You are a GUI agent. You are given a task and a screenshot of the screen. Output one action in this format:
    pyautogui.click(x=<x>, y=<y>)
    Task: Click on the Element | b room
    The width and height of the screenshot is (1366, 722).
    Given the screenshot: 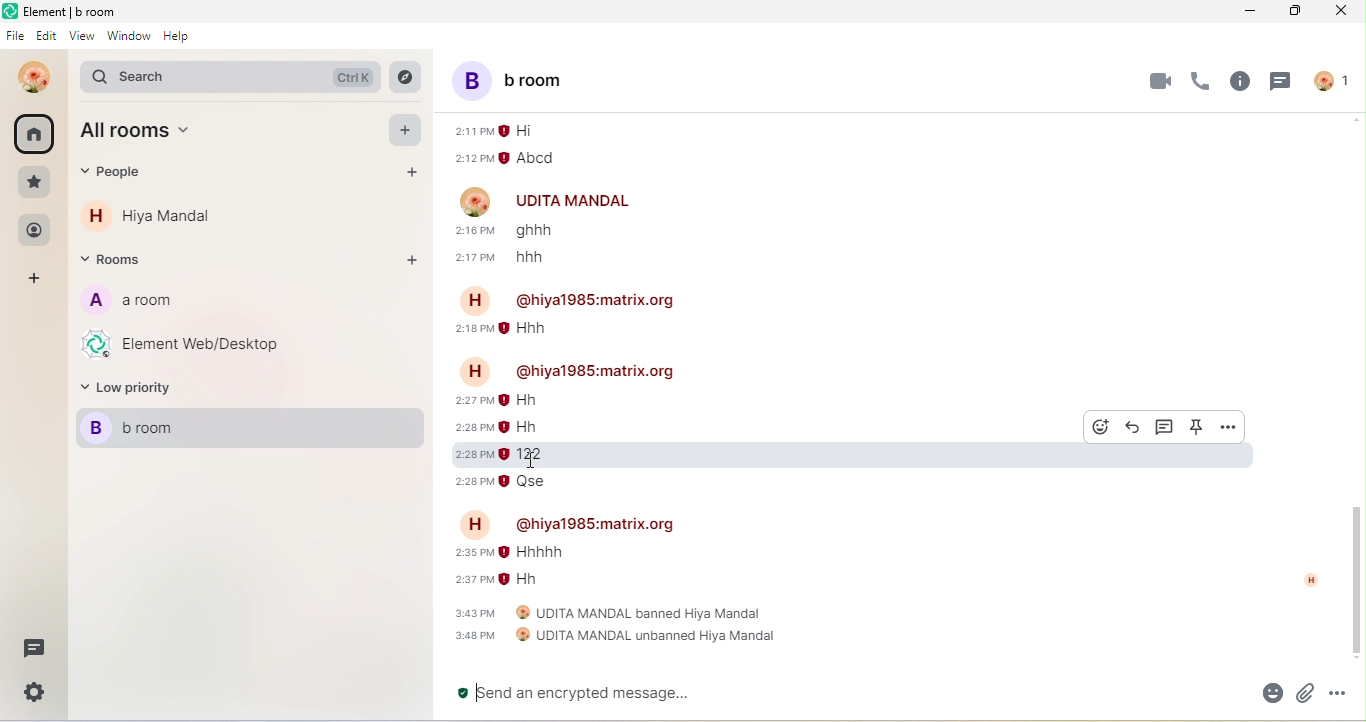 What is the action you would take?
    pyautogui.click(x=82, y=11)
    